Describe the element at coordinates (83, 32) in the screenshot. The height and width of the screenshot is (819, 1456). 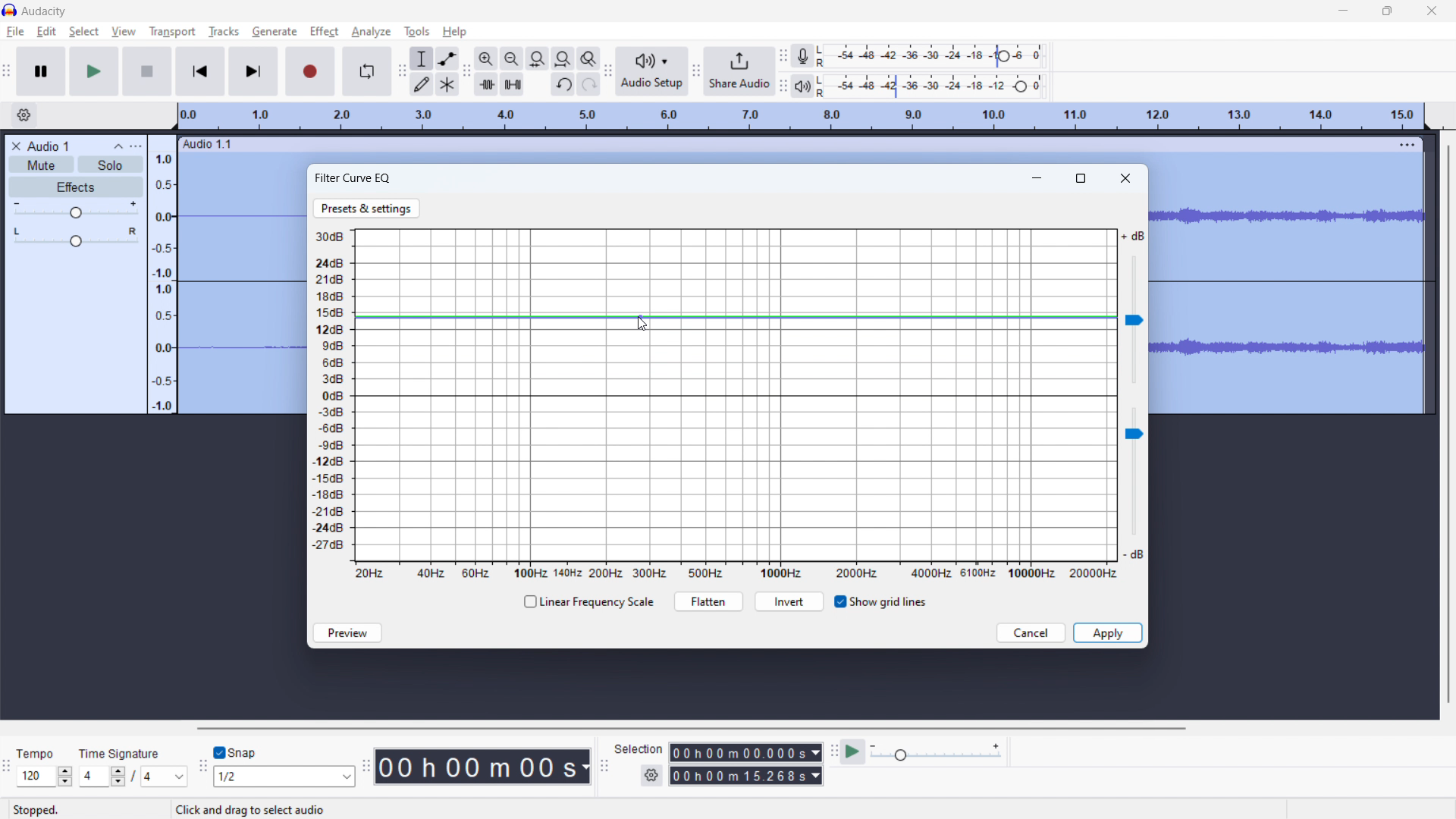
I see `select` at that location.